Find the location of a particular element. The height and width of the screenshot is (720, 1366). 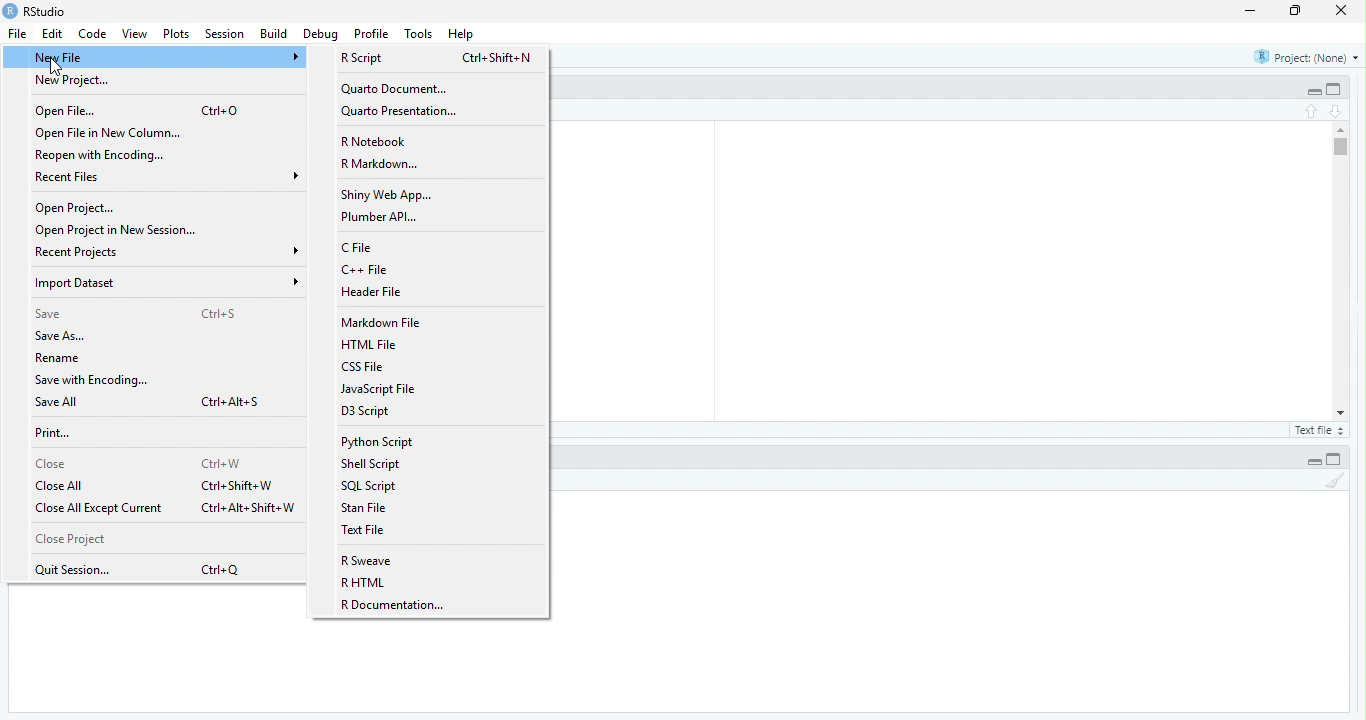

Ctrl+Q is located at coordinates (225, 570).